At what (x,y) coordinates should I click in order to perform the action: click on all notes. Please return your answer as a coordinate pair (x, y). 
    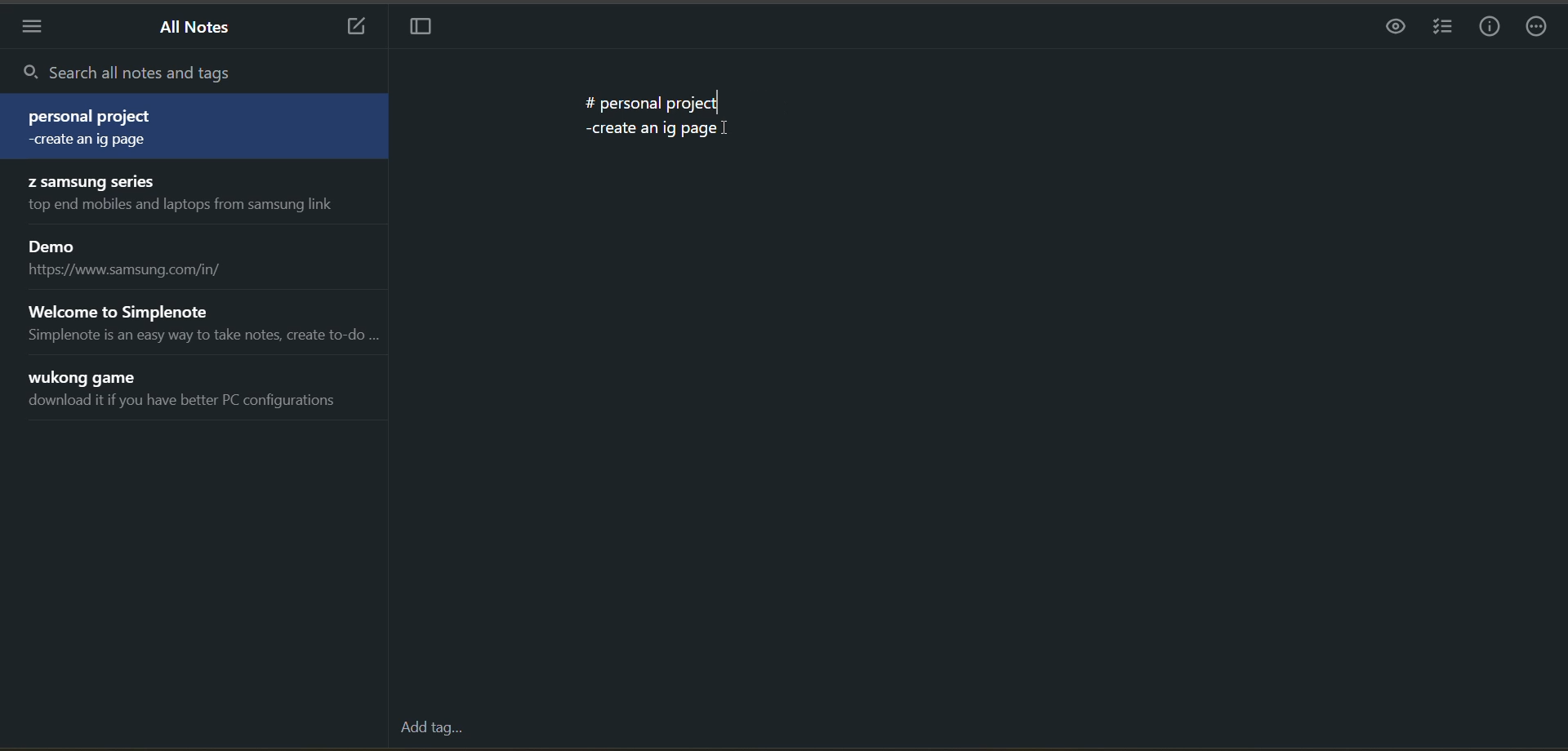
    Looking at the image, I should click on (195, 29).